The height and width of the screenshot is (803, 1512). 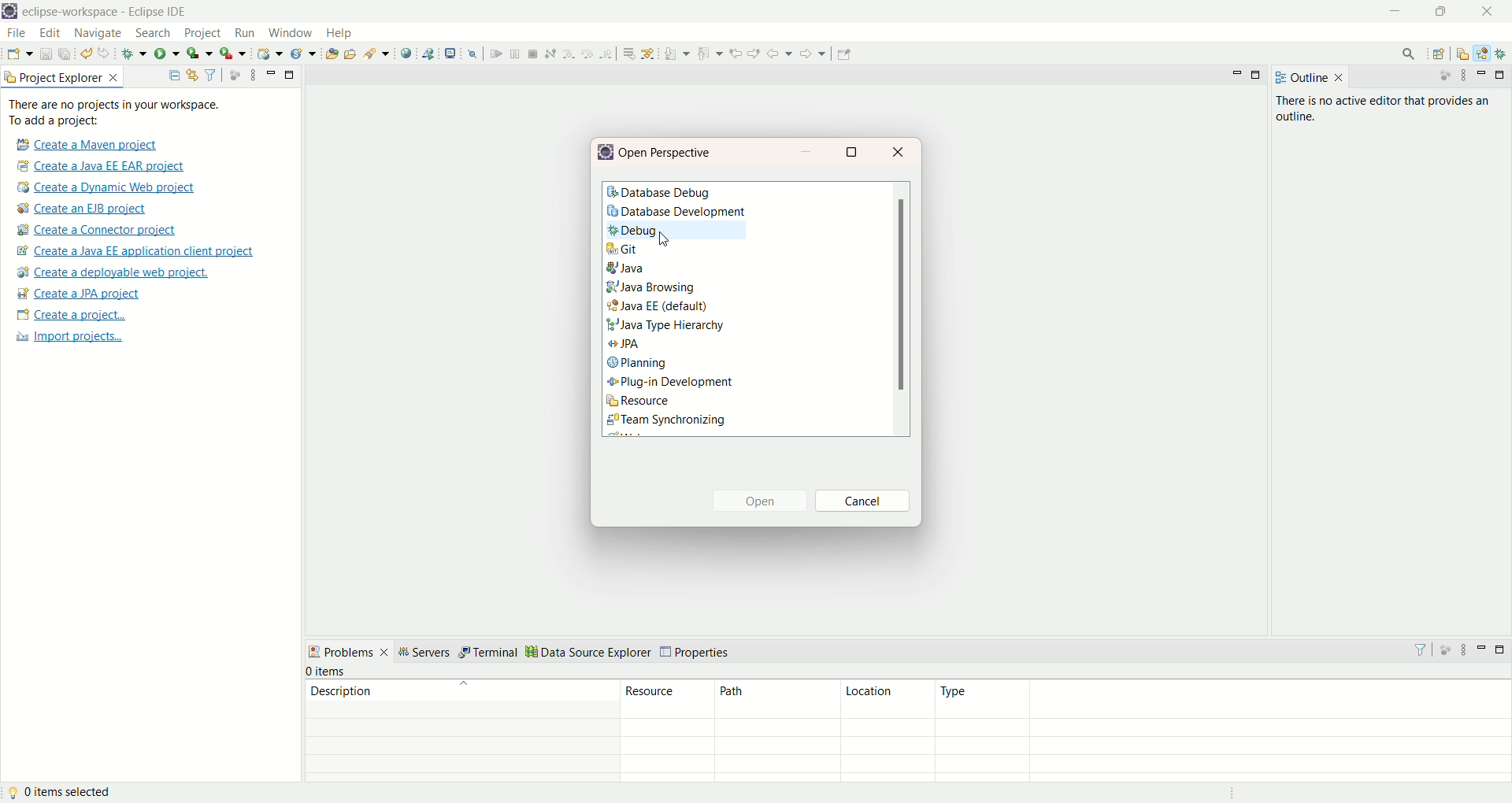 What do you see at coordinates (626, 346) in the screenshot?
I see `JPA ` at bounding box center [626, 346].